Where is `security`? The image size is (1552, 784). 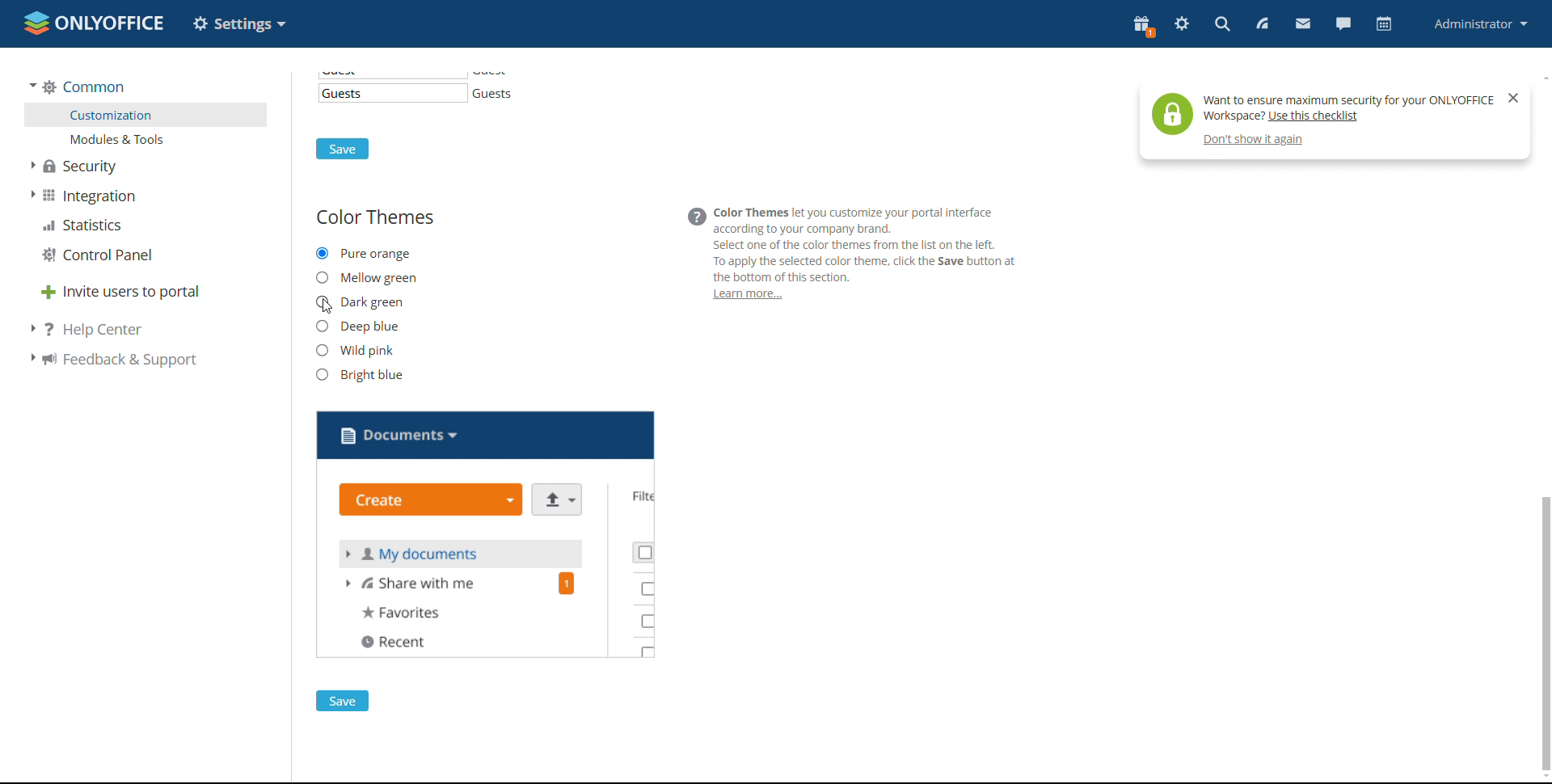
security is located at coordinates (76, 166).